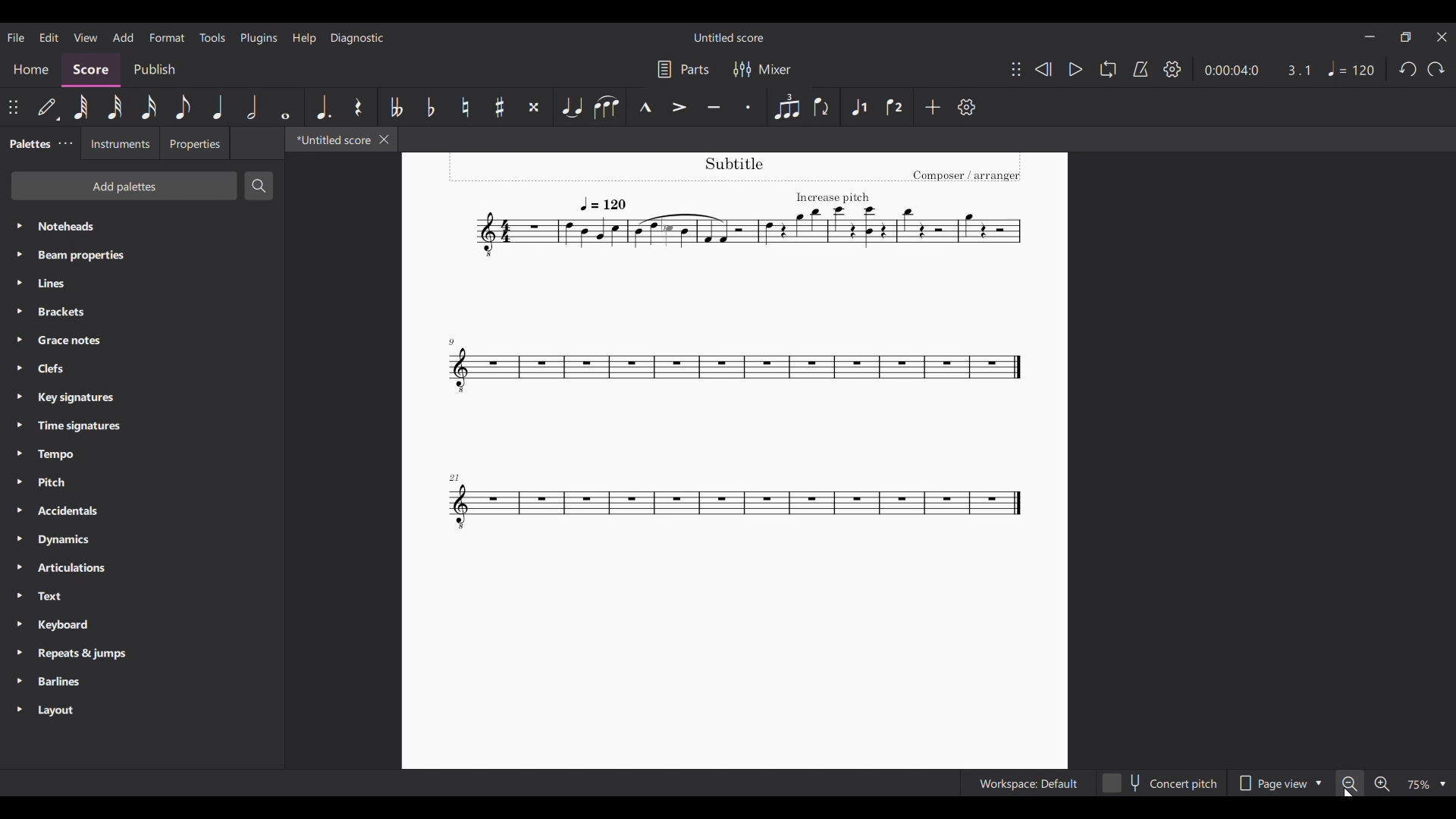  I want to click on File menu, so click(17, 38).